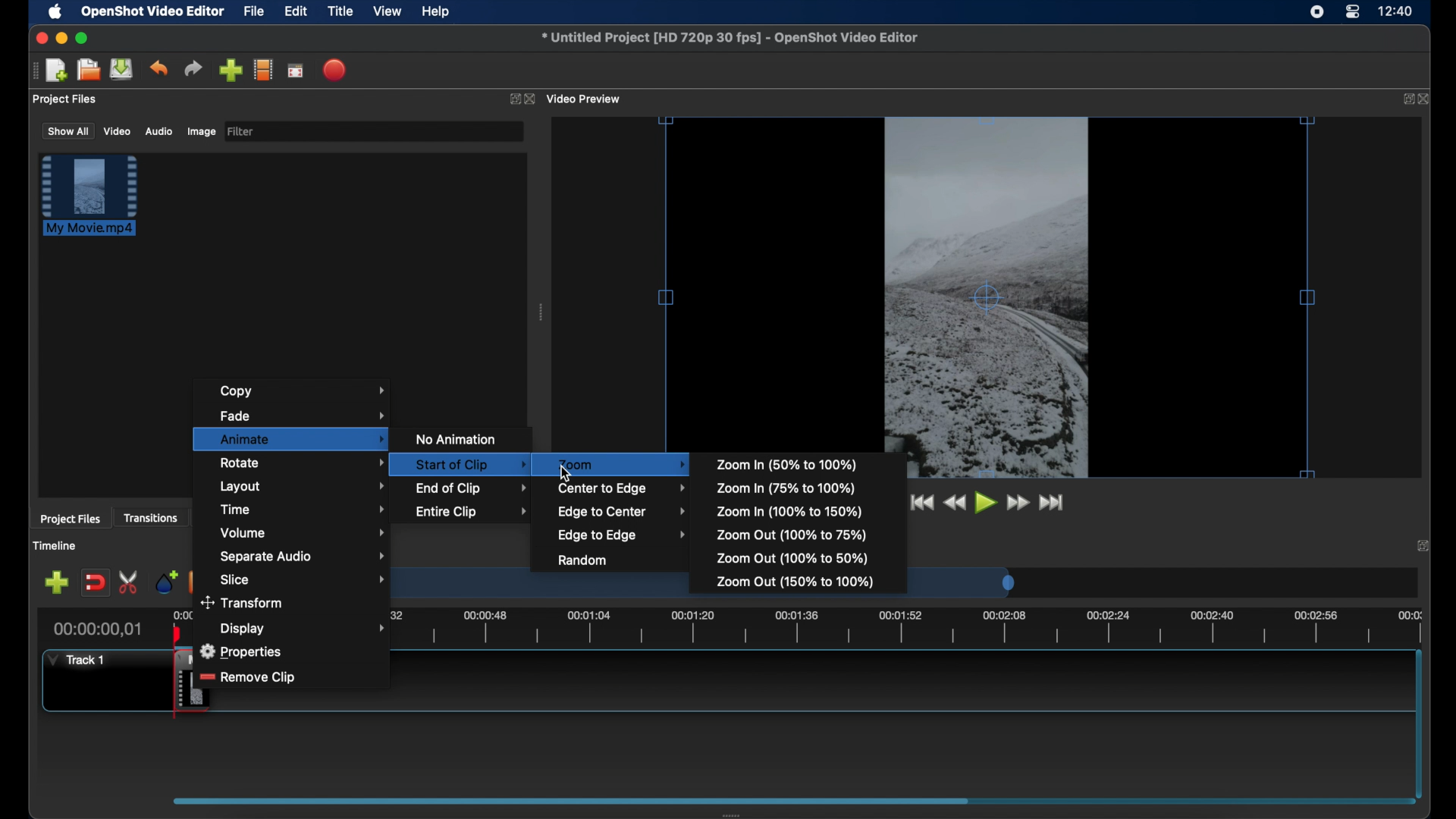 Image resolution: width=1456 pixels, height=819 pixels. What do you see at coordinates (200, 132) in the screenshot?
I see `image` at bounding box center [200, 132].